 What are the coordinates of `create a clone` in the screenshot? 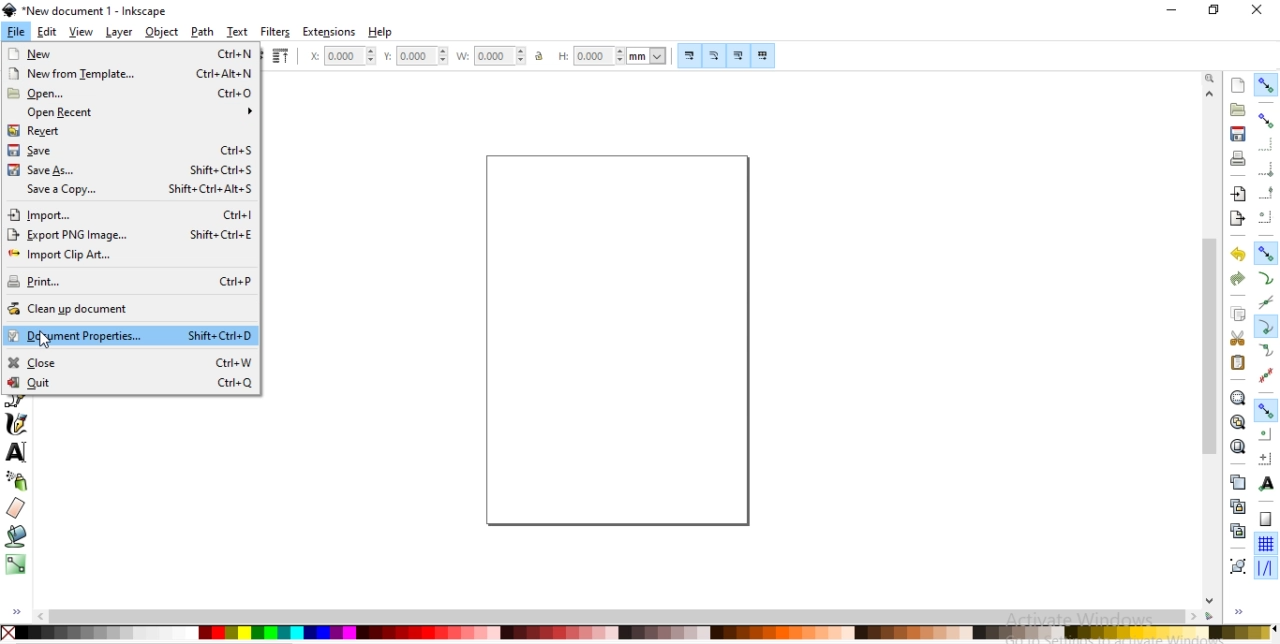 It's located at (1236, 506).